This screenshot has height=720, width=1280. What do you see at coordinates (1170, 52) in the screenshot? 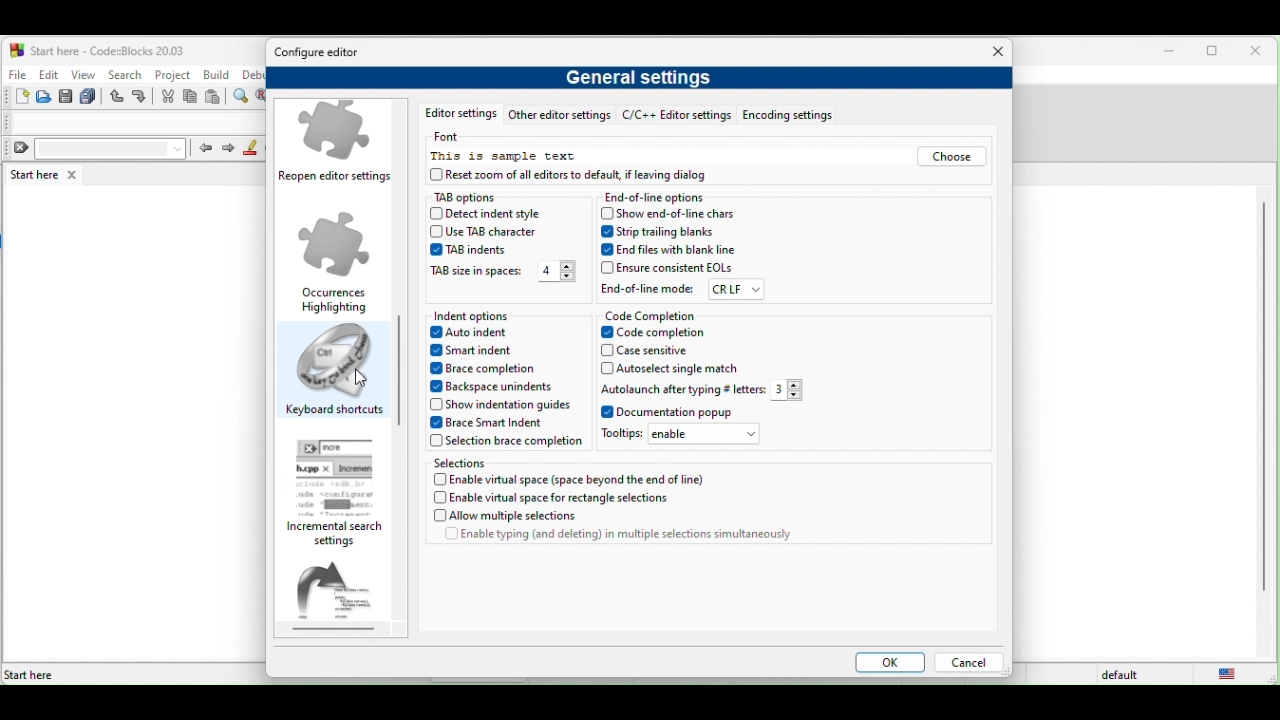
I see `minimize` at bounding box center [1170, 52].